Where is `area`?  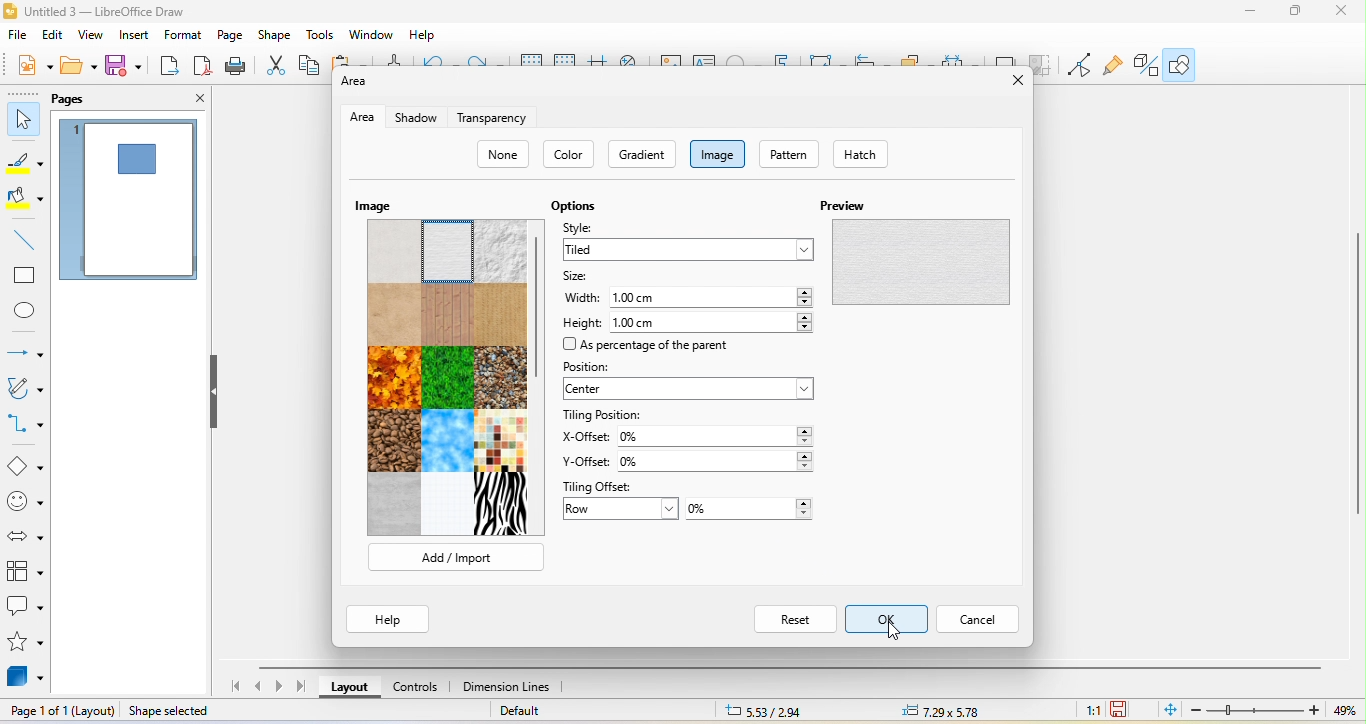
area is located at coordinates (359, 83).